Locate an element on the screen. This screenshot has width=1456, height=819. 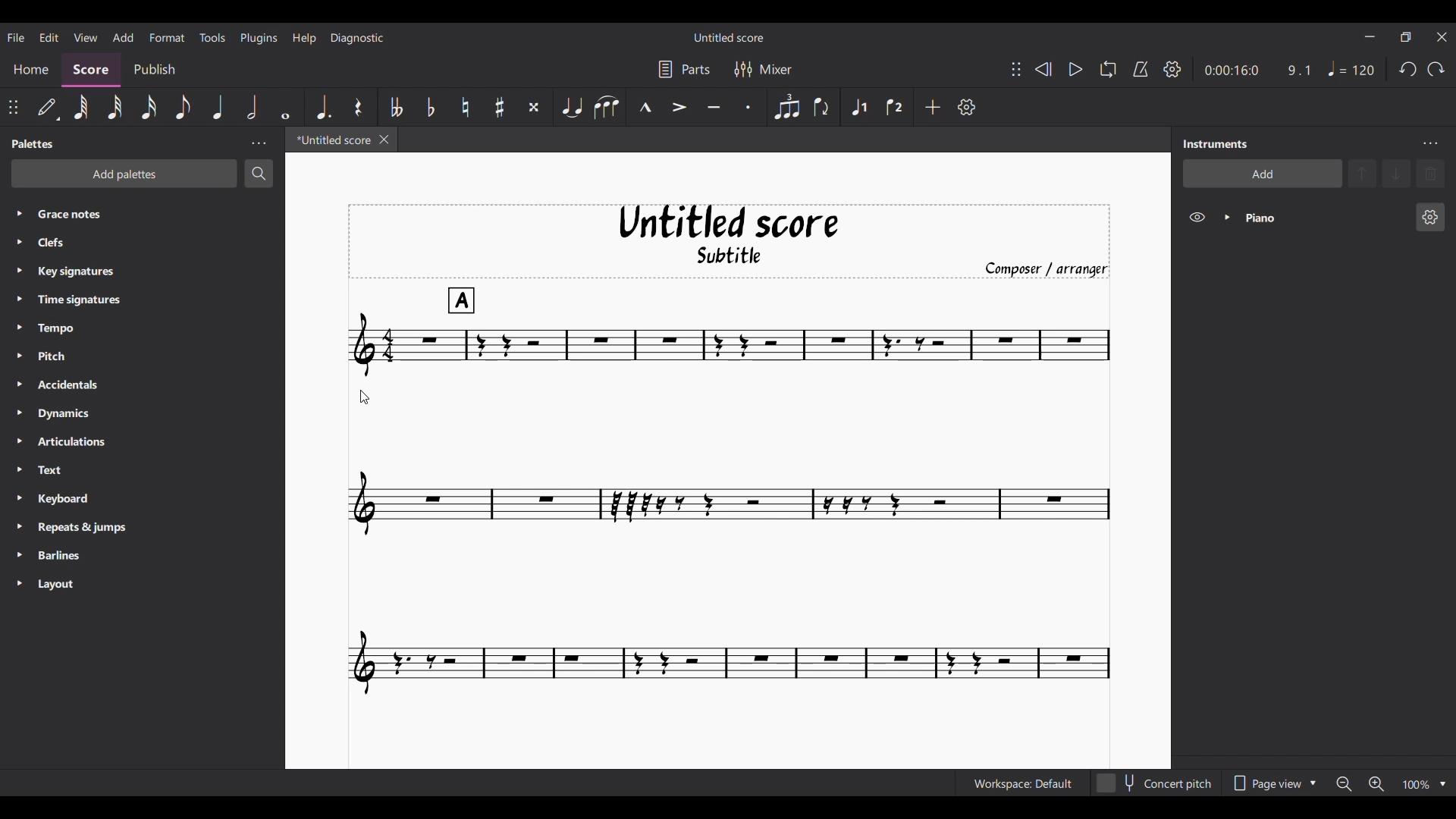
Text is located at coordinates (80, 471).